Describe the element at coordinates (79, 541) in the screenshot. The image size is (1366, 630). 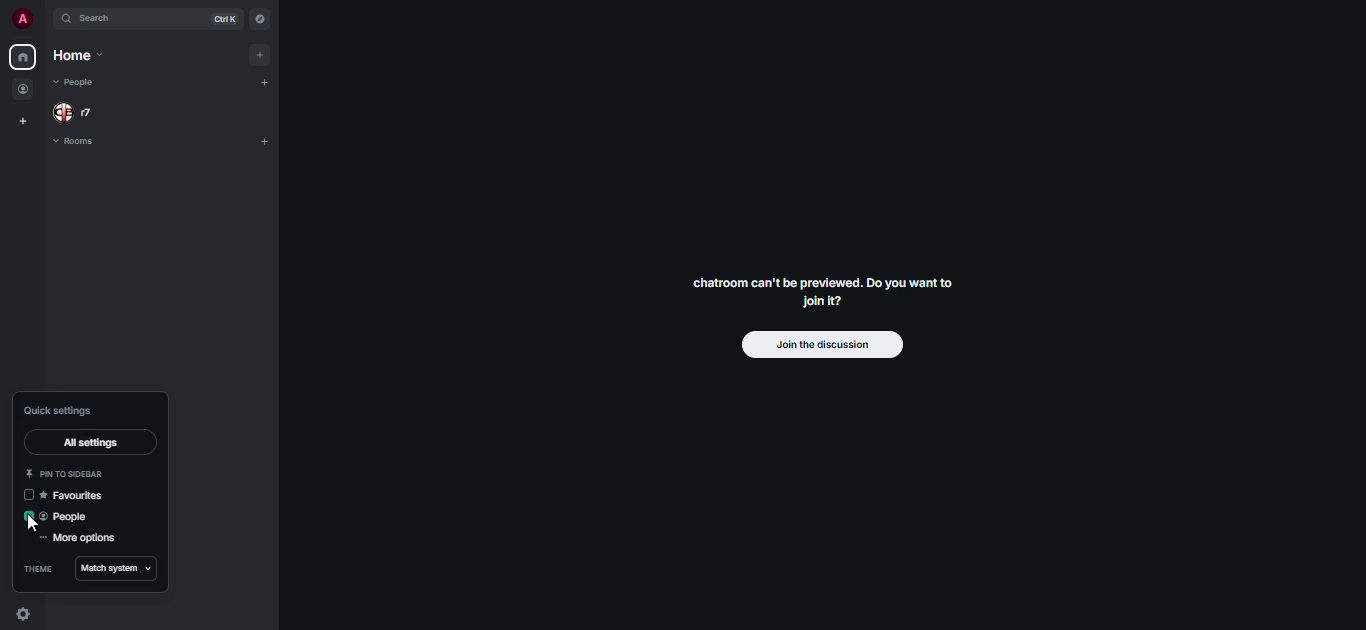
I see `more options` at that location.